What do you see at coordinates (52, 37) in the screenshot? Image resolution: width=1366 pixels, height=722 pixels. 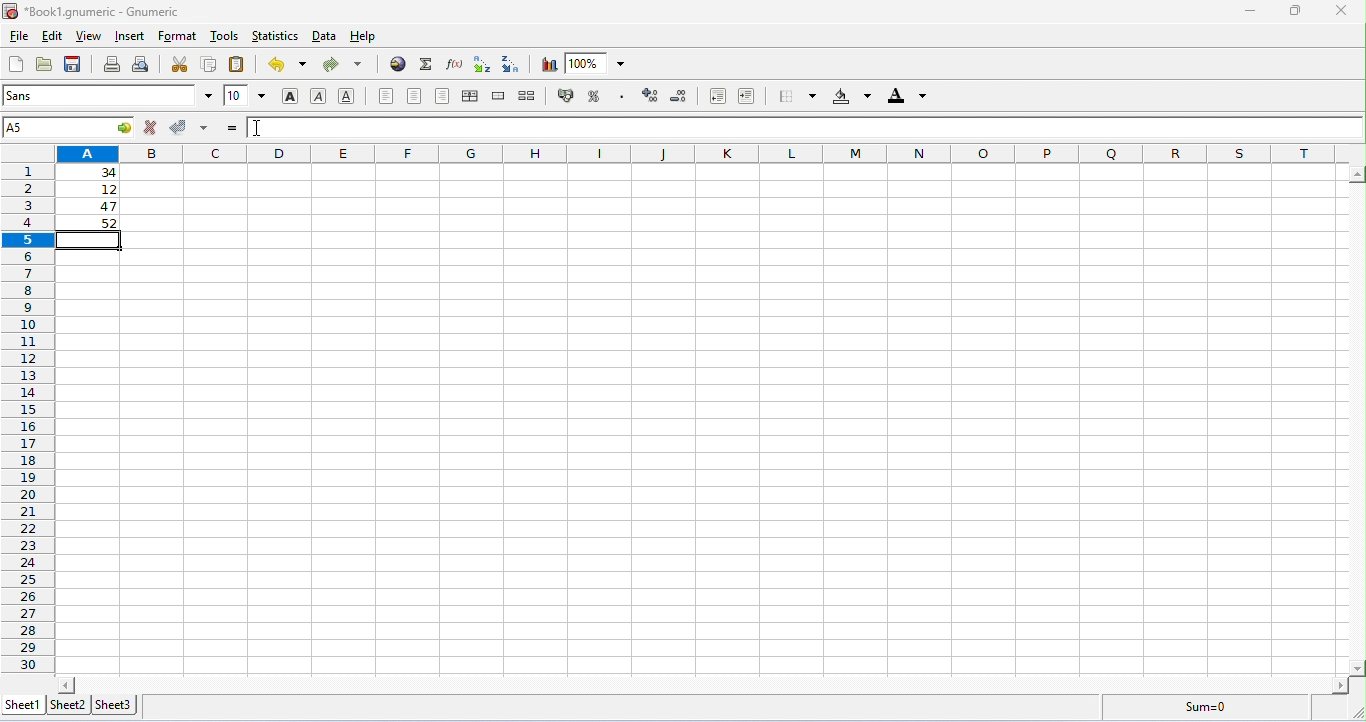 I see `edit` at bounding box center [52, 37].